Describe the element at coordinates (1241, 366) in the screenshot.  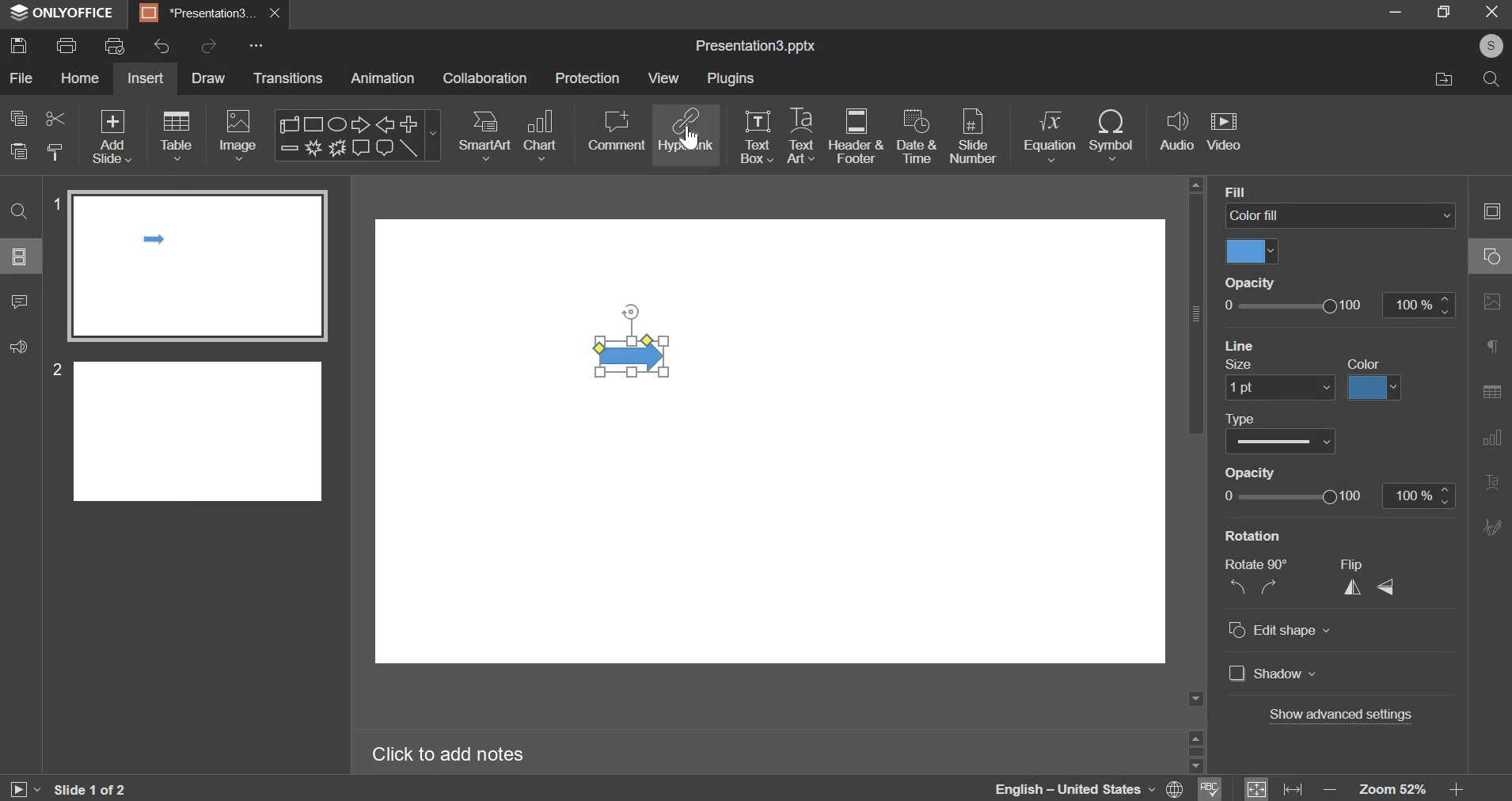
I see `size` at that location.